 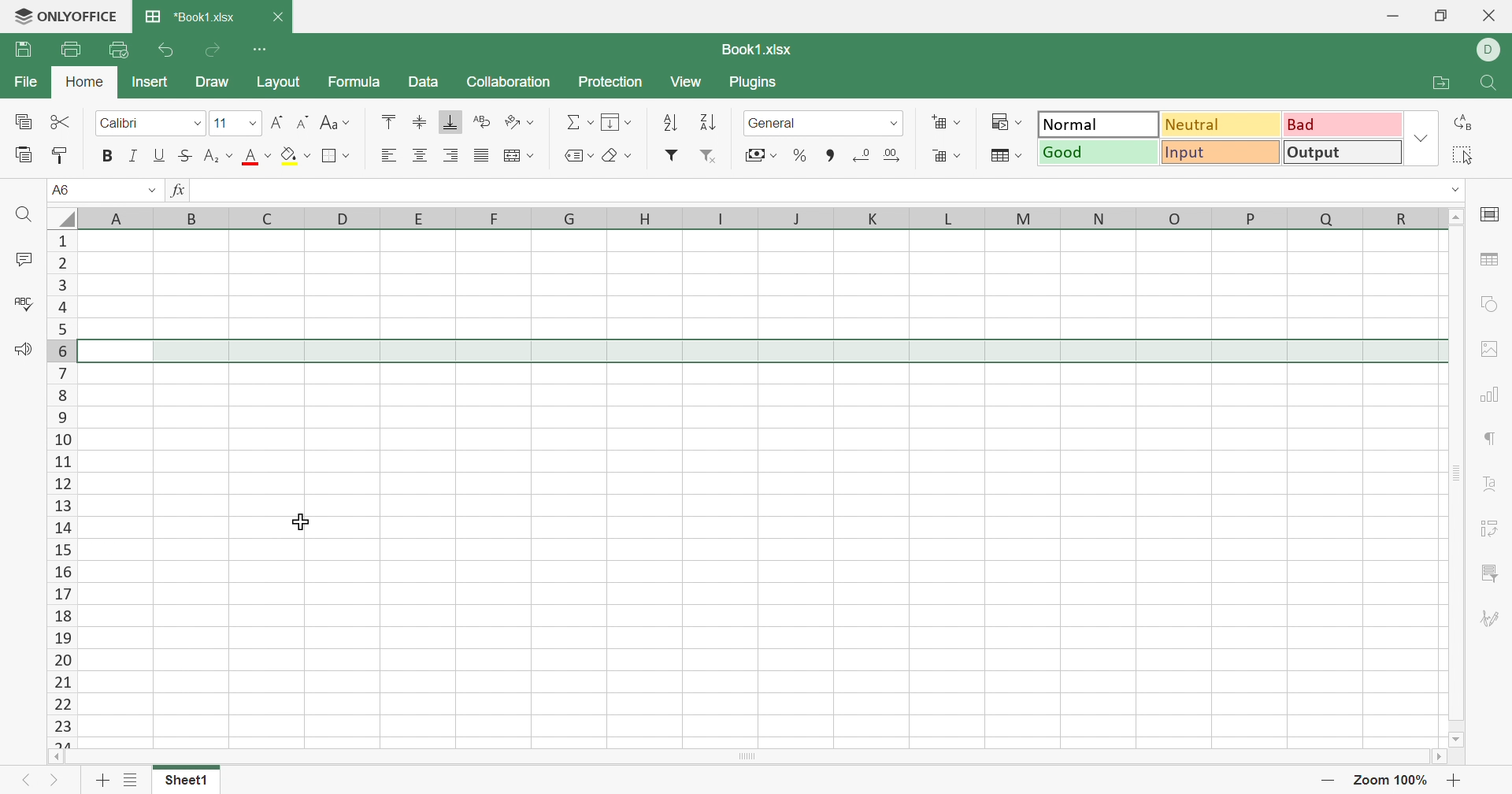 What do you see at coordinates (135, 155) in the screenshot?
I see `Italic` at bounding box center [135, 155].